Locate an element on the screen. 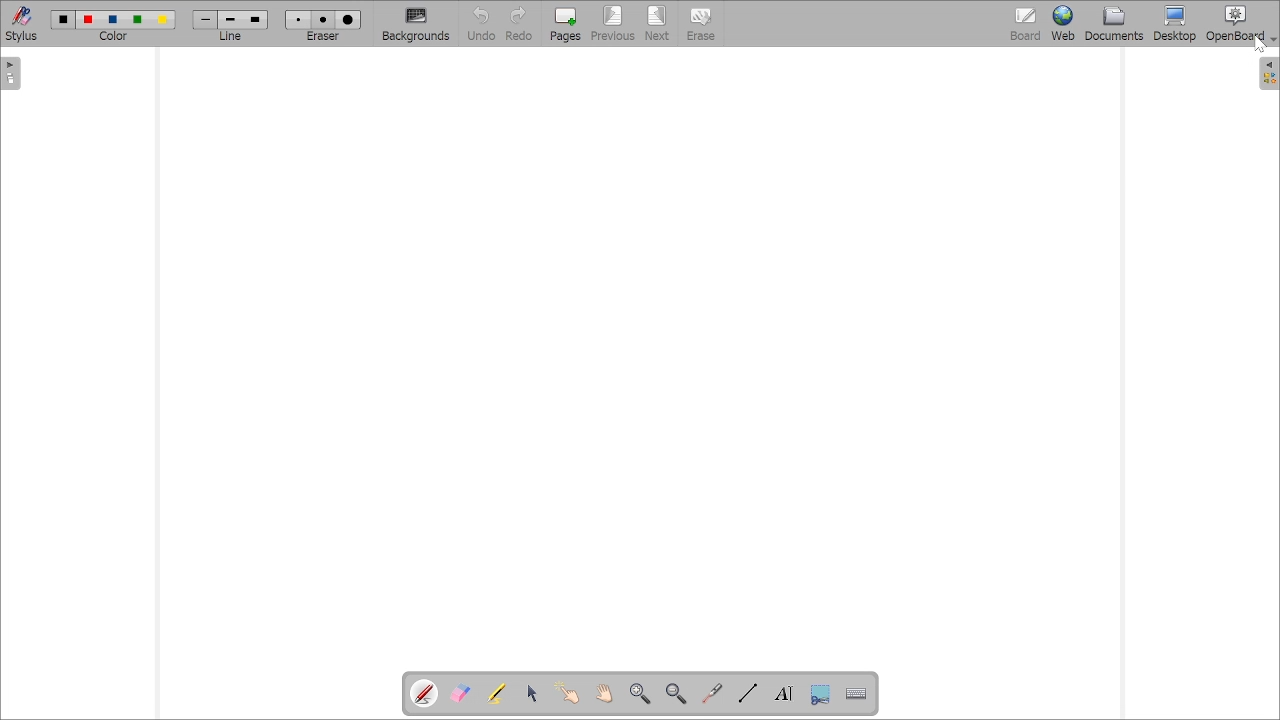 This screenshot has width=1280, height=720. Previous is located at coordinates (614, 25).